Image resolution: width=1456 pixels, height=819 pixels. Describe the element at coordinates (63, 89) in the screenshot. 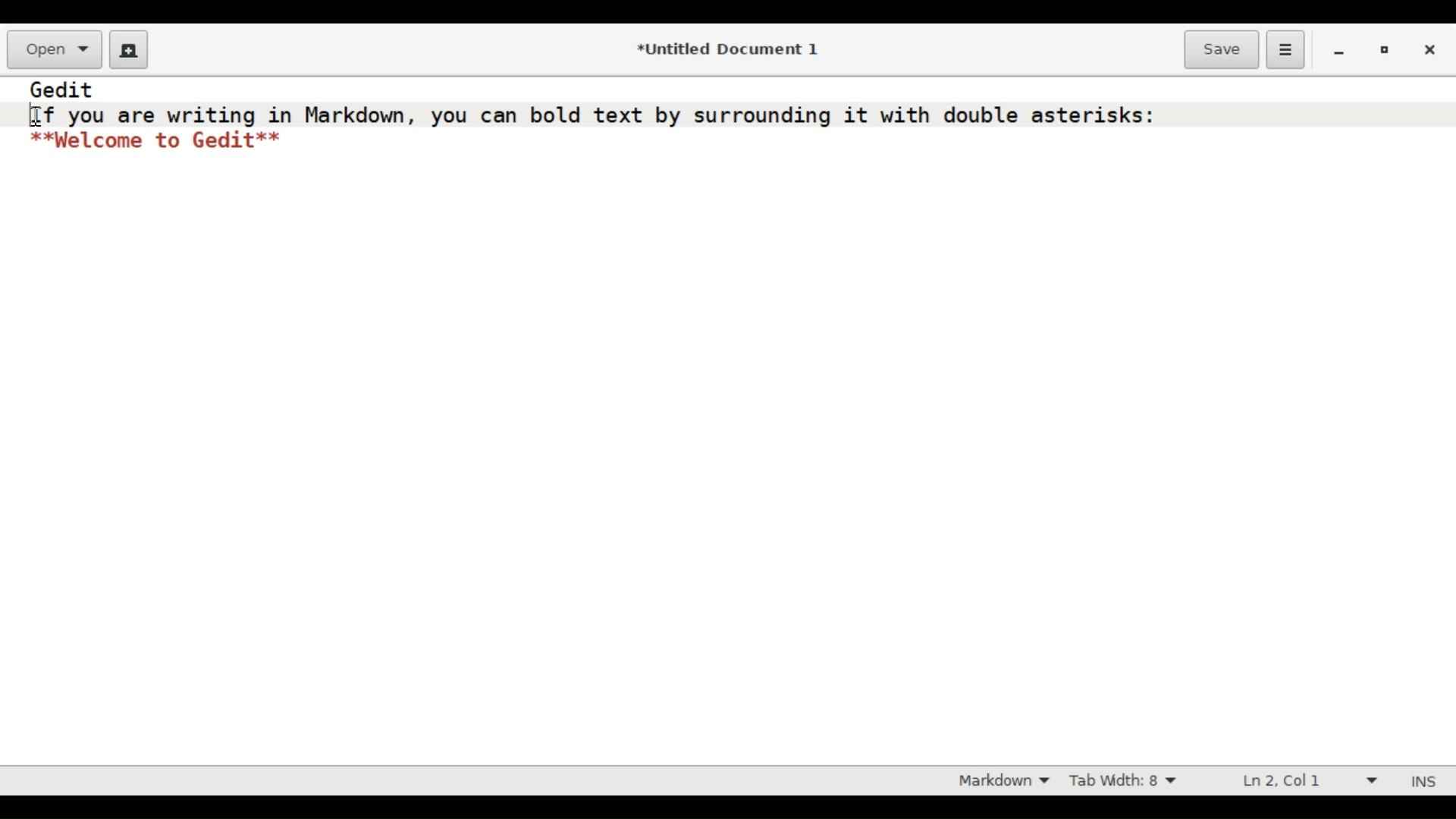

I see `Gedit` at that location.